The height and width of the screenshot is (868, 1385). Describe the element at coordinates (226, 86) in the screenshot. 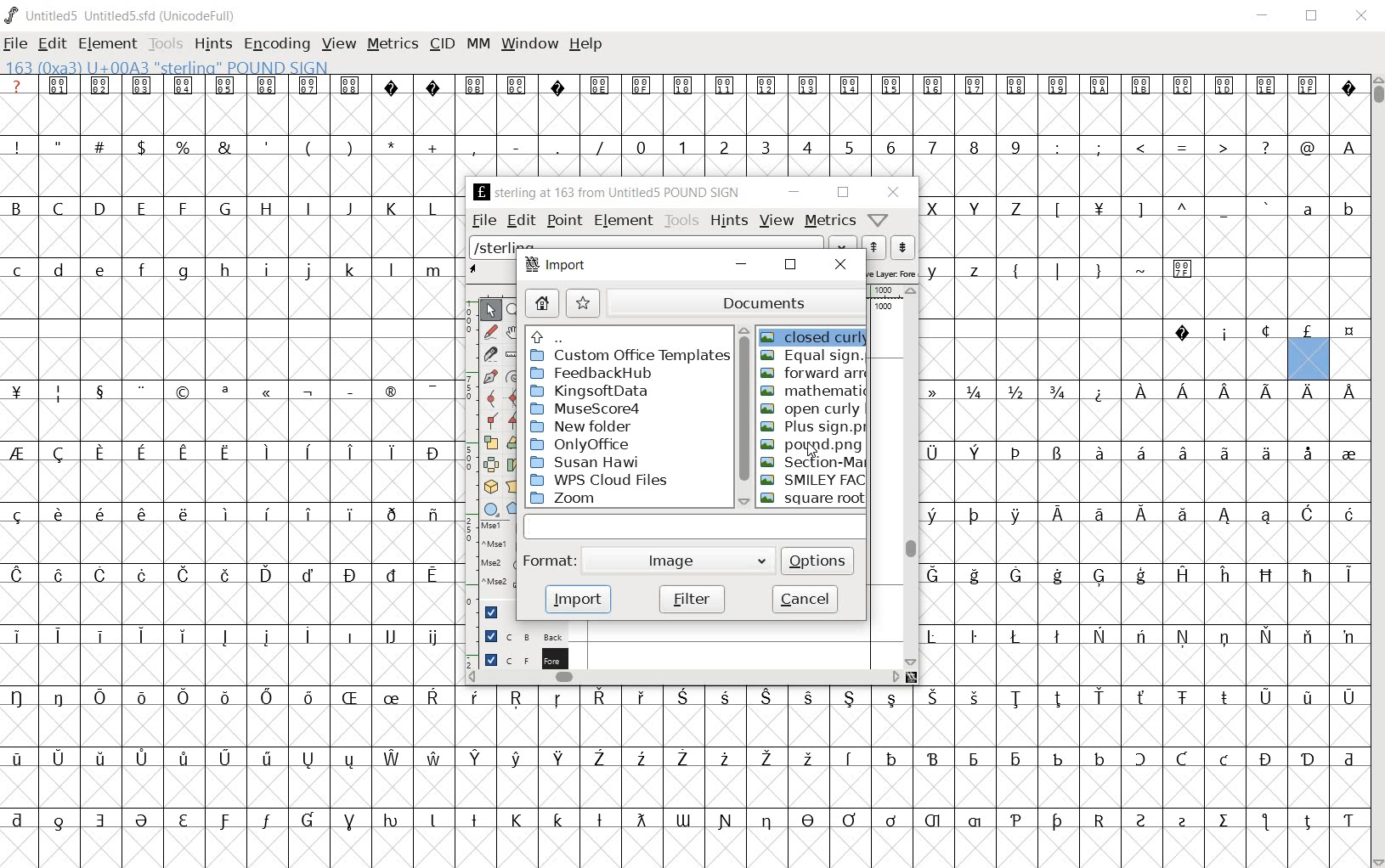

I see `Symbol` at that location.